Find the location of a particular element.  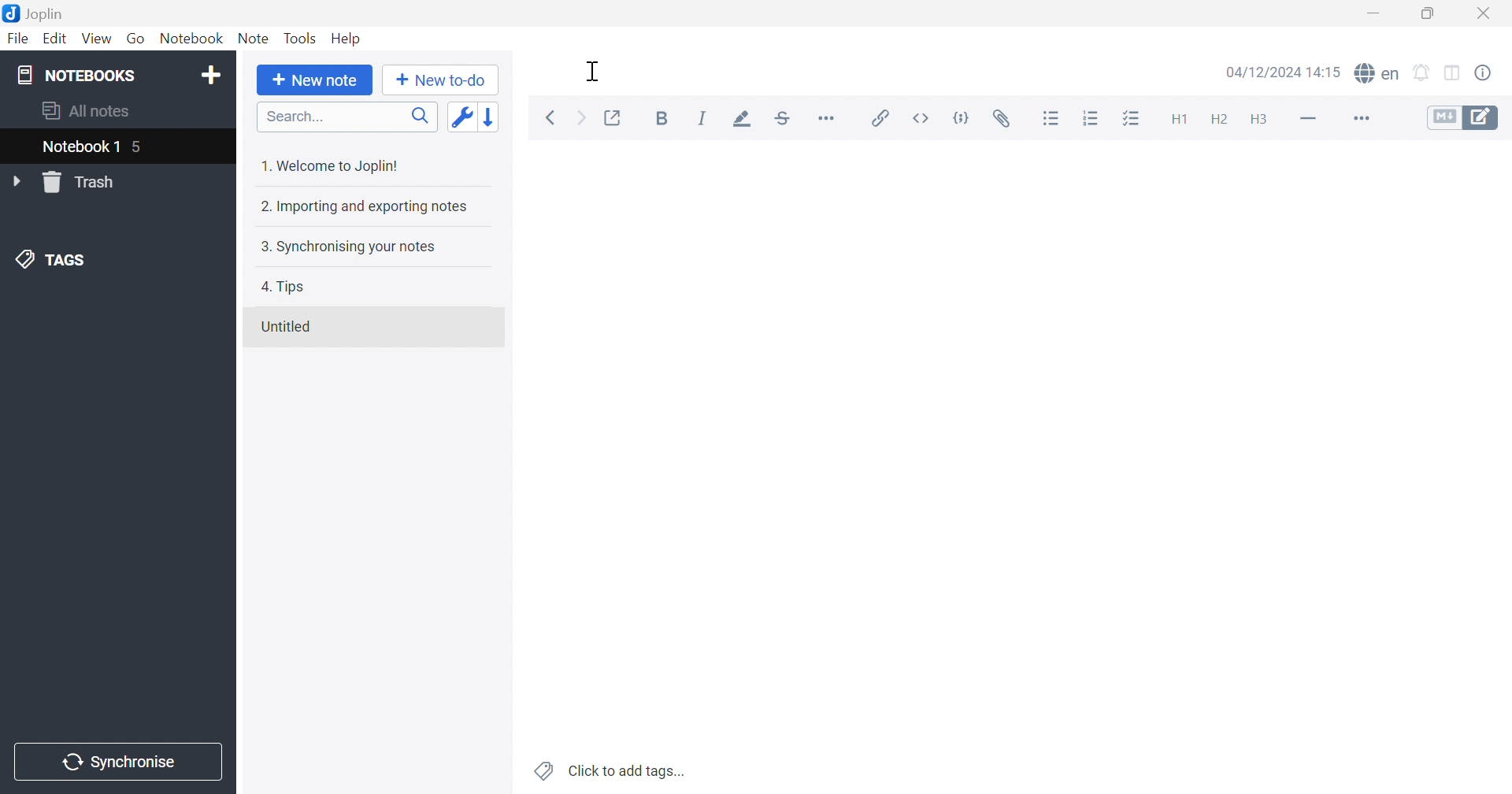

Minimize is located at coordinates (1378, 13).